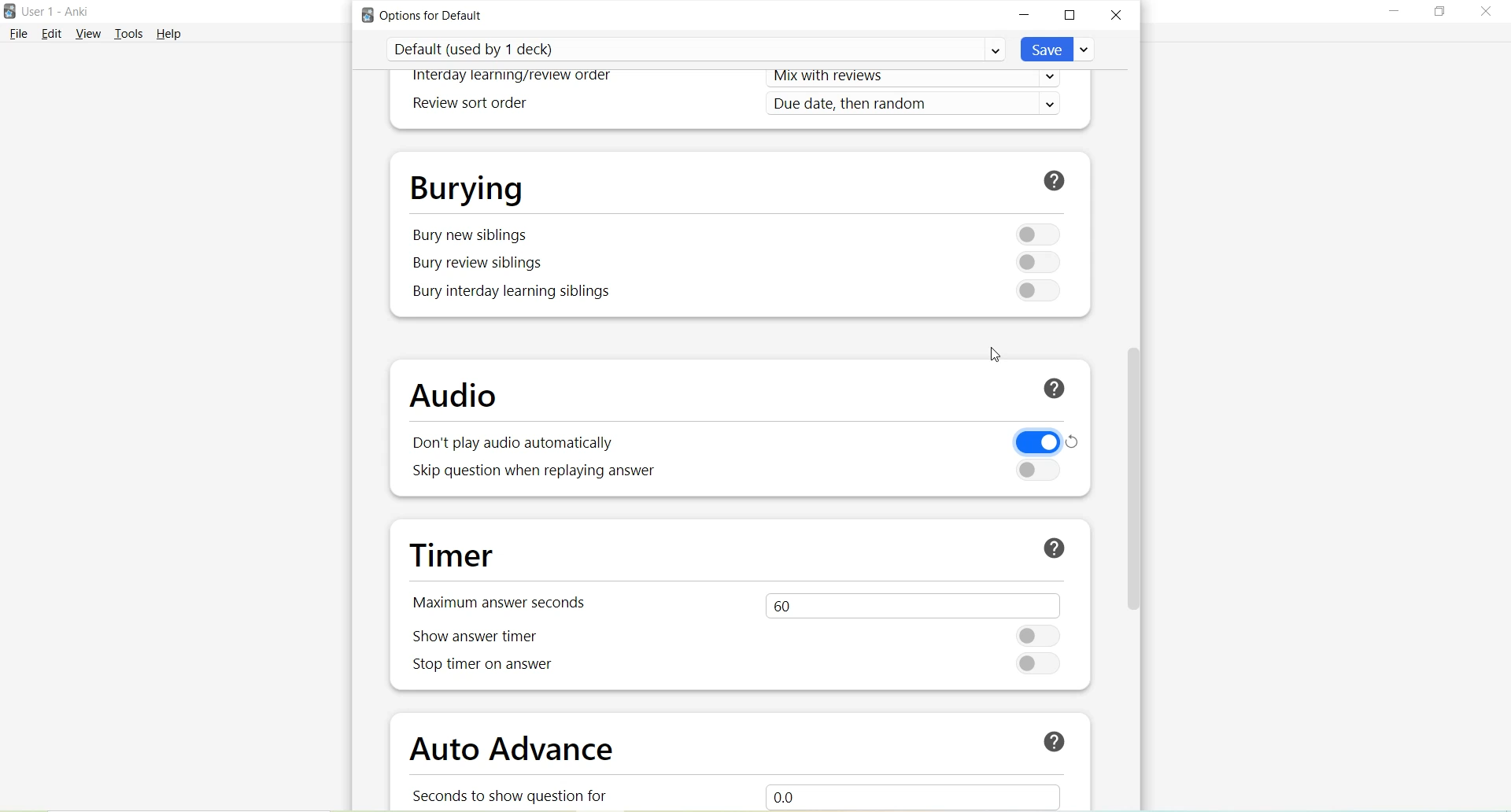  I want to click on Bury new siblings, so click(471, 235).